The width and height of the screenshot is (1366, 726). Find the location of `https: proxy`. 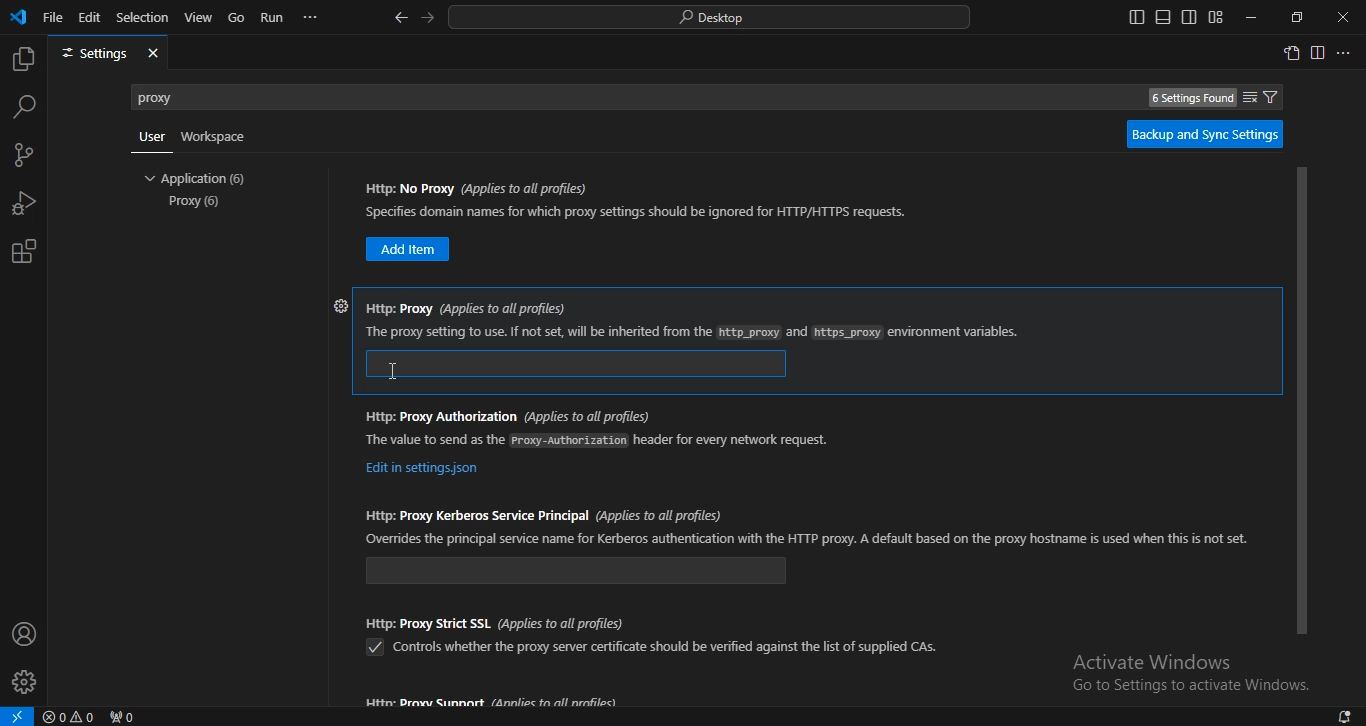

https: proxy is located at coordinates (581, 365).